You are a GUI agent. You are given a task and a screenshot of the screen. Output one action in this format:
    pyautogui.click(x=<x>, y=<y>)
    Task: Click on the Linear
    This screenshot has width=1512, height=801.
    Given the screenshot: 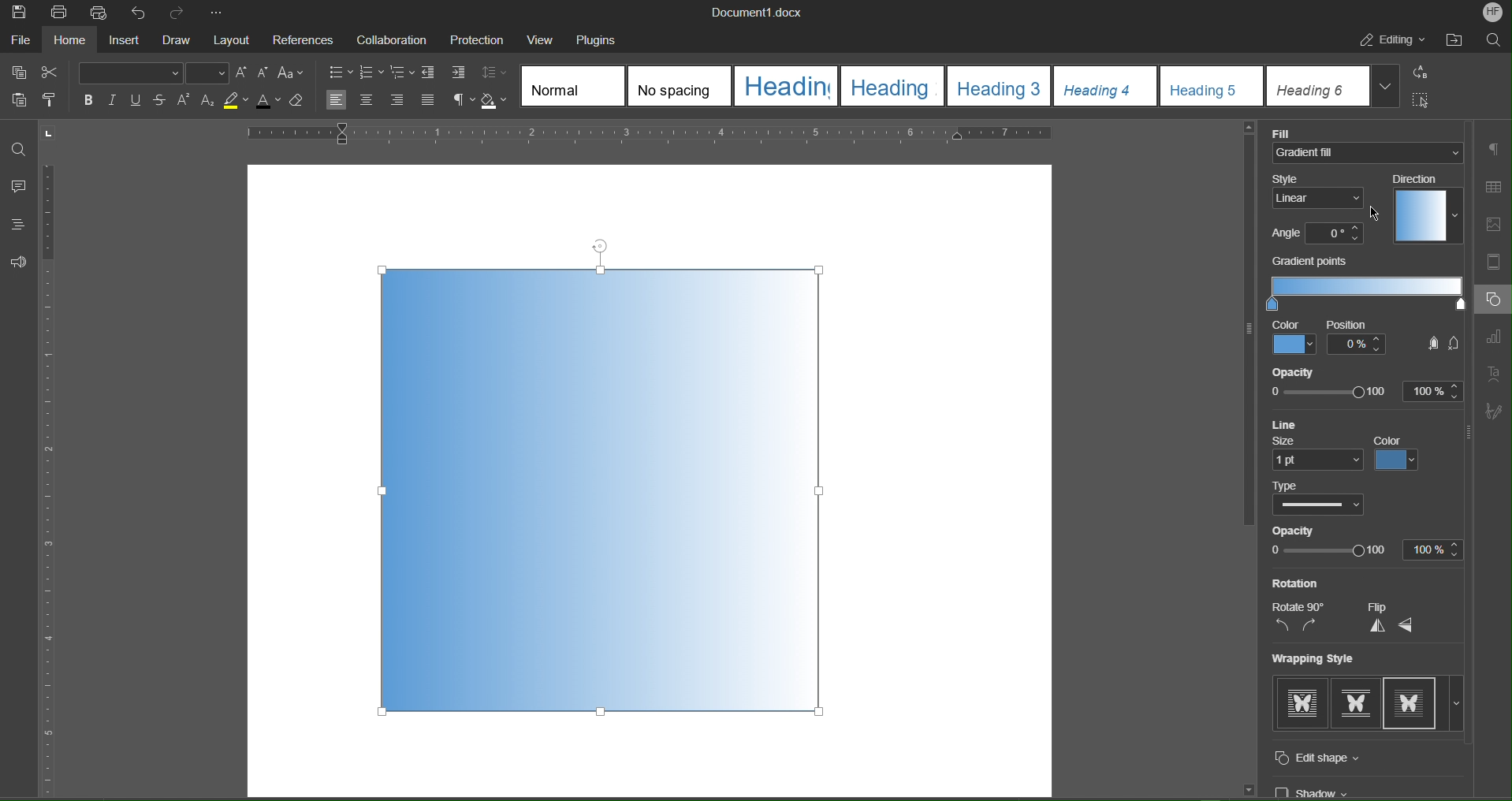 What is the action you would take?
    pyautogui.click(x=1320, y=197)
    